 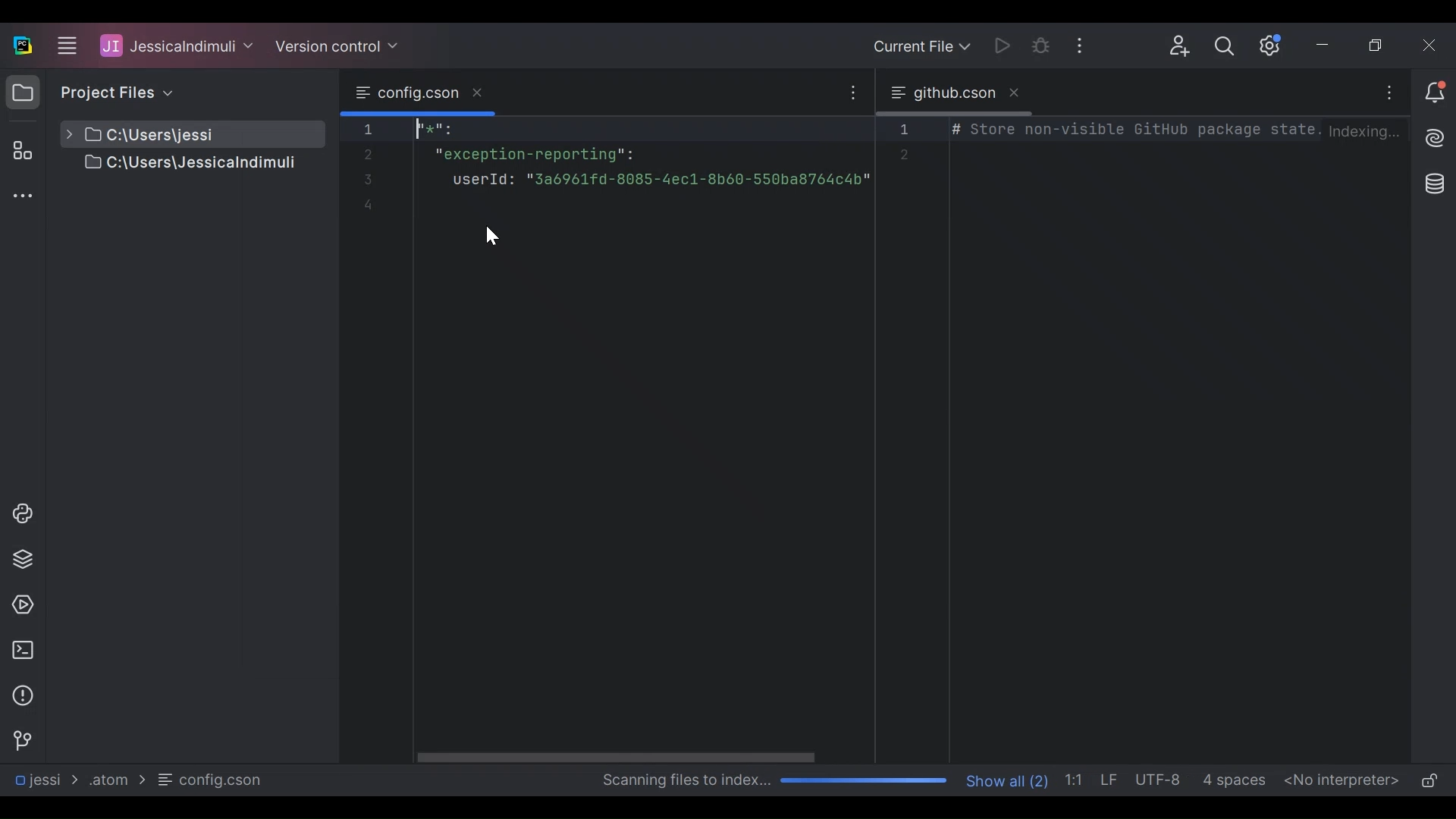 What do you see at coordinates (21, 741) in the screenshot?
I see `Navigation` at bounding box center [21, 741].